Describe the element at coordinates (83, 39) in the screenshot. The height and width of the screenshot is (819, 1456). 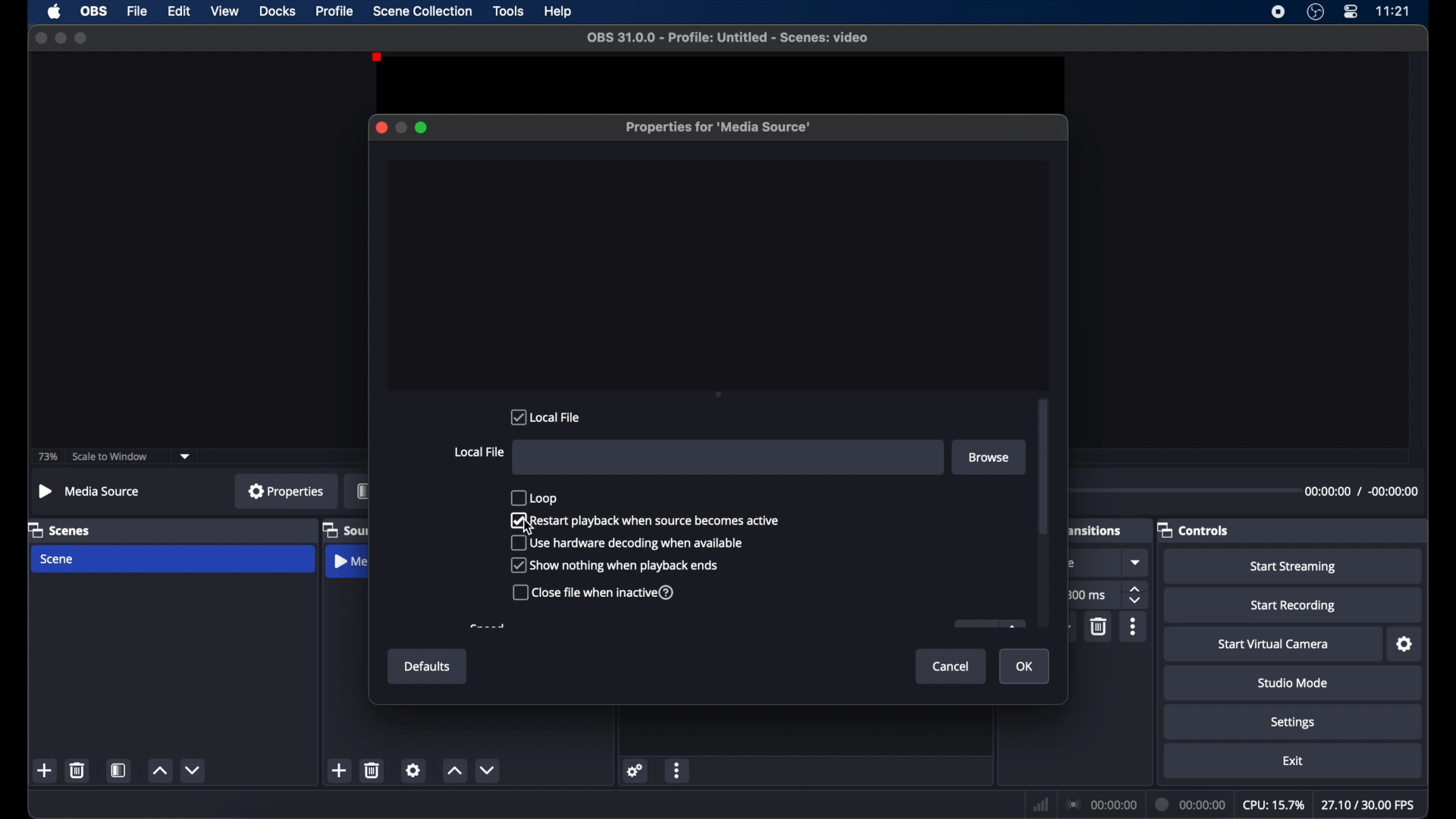
I see `maximize` at that location.